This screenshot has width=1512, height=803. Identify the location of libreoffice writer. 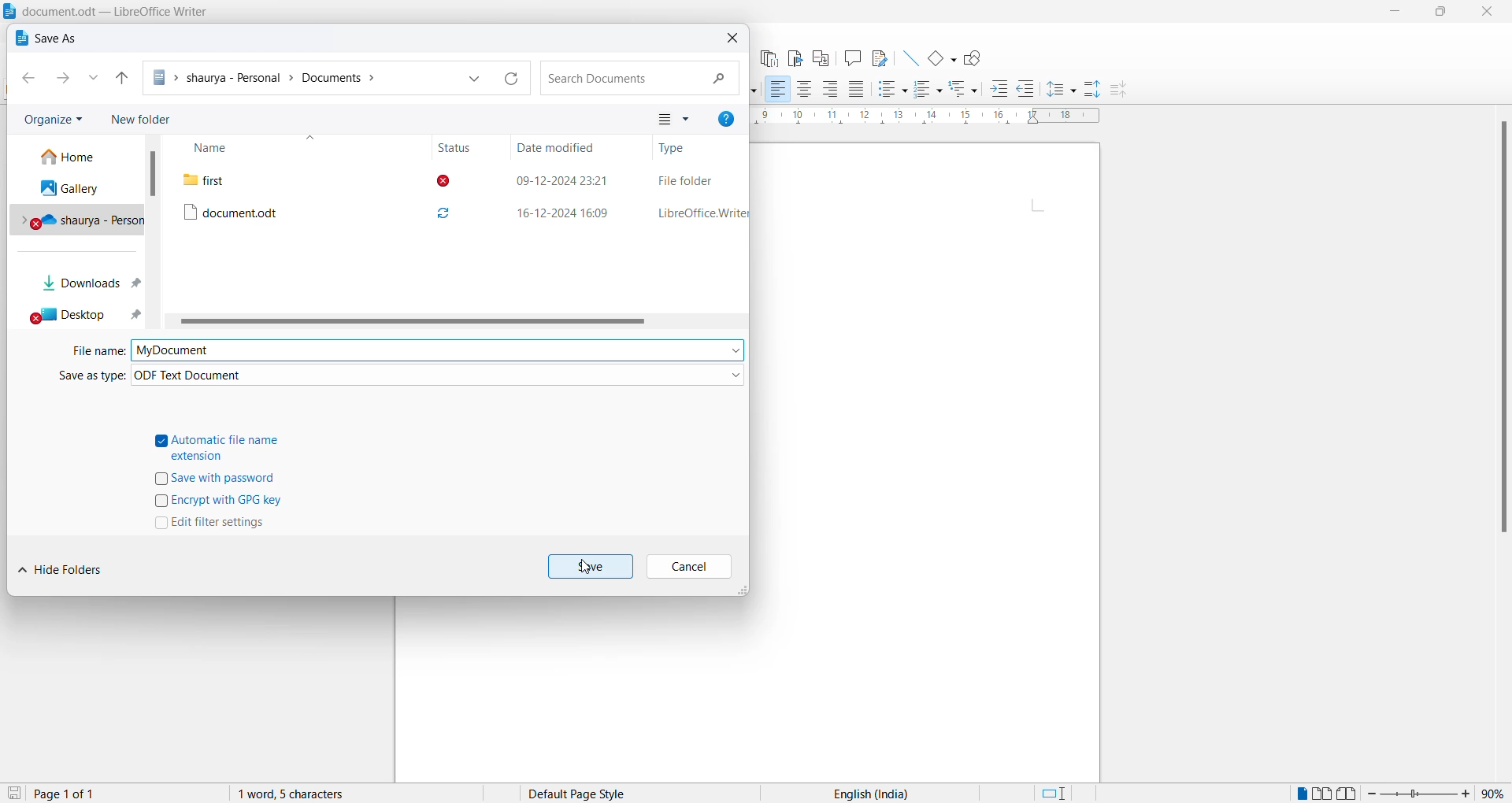
(699, 213).